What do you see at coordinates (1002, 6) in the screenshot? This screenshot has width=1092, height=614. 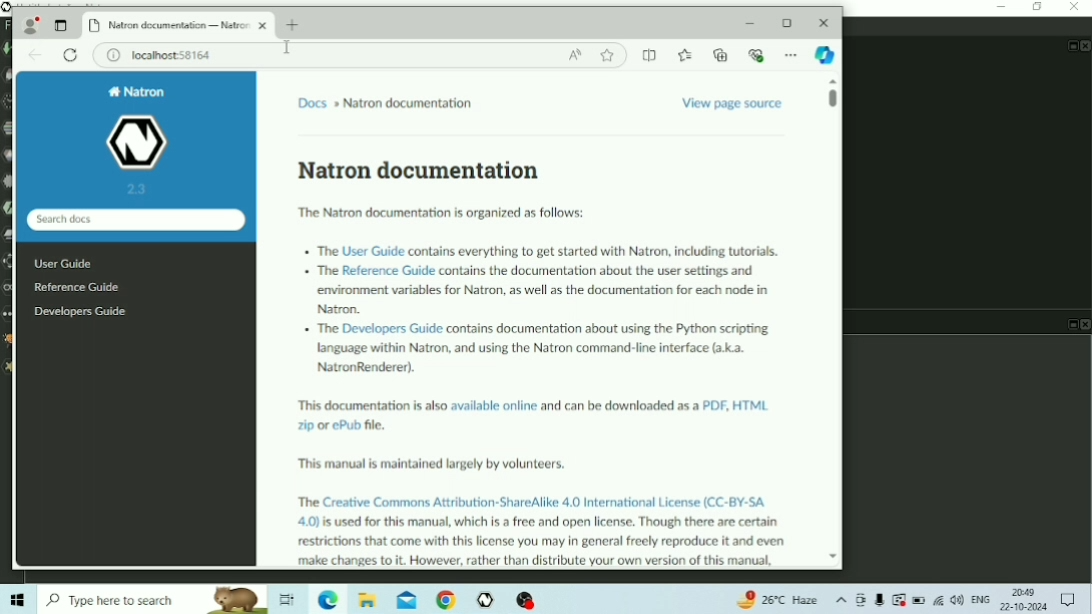 I see `Minimize` at bounding box center [1002, 6].